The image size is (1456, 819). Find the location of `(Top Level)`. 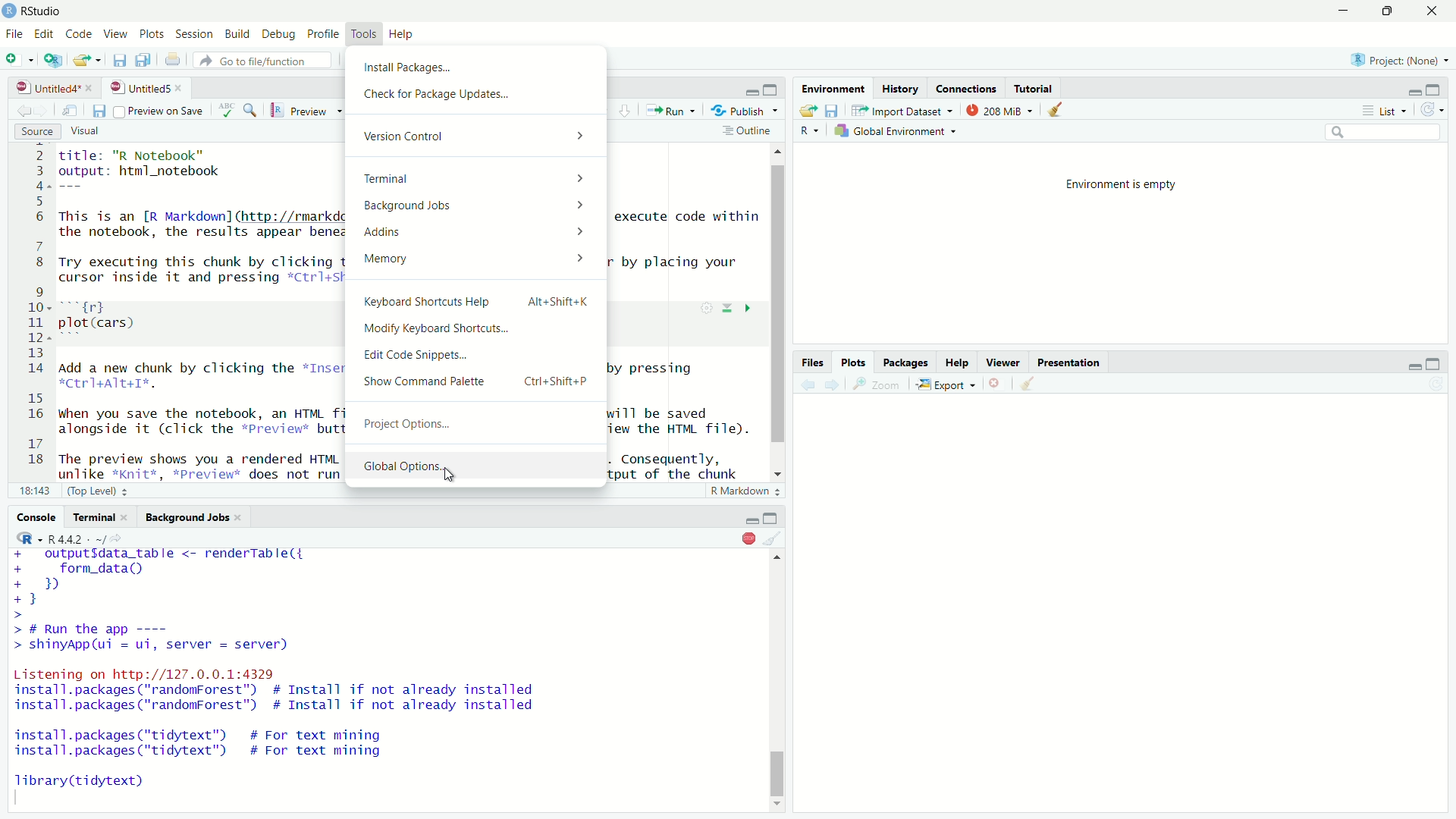

(Top Level) is located at coordinates (100, 490).